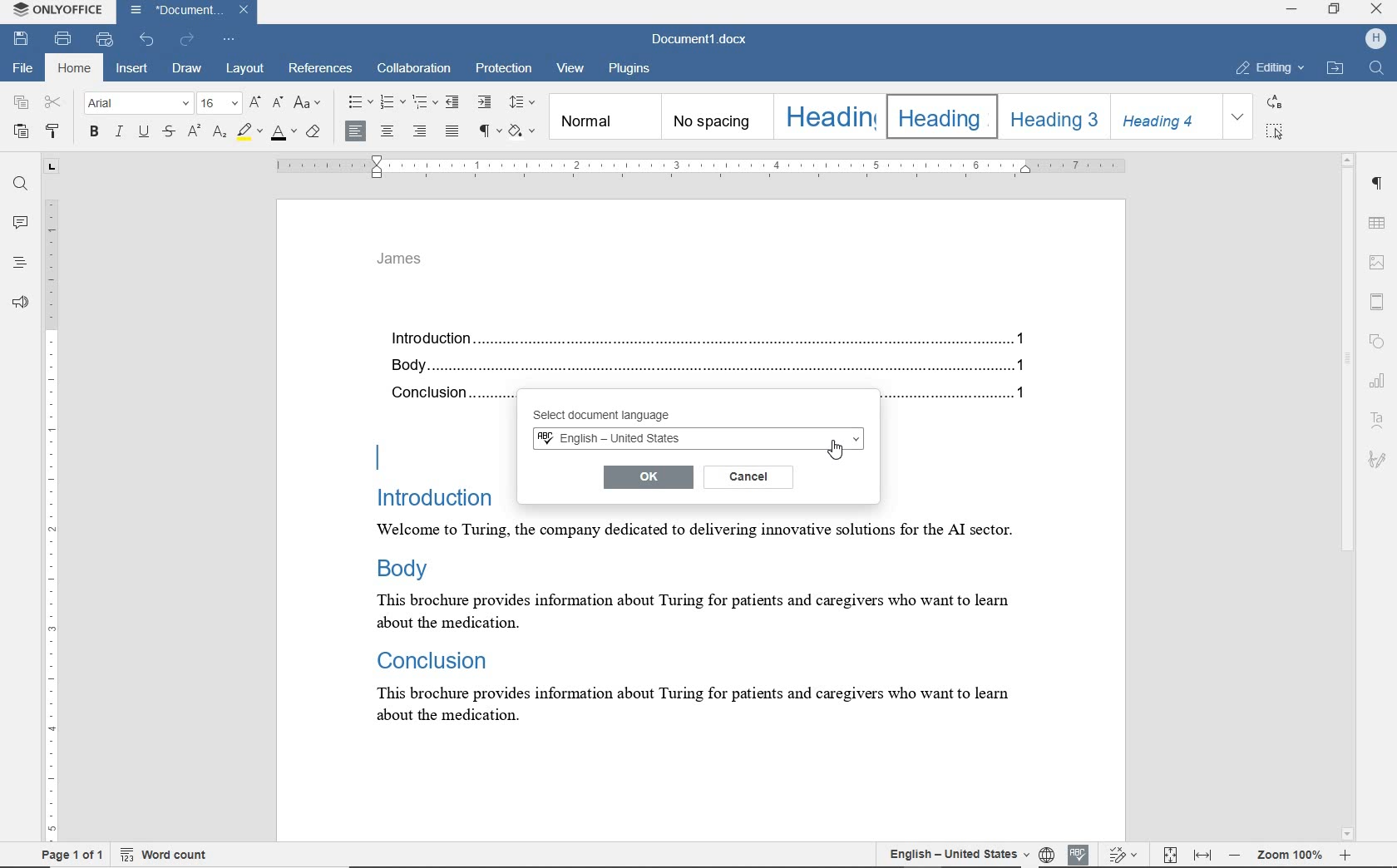  What do you see at coordinates (749, 476) in the screenshot?
I see `cancel` at bounding box center [749, 476].